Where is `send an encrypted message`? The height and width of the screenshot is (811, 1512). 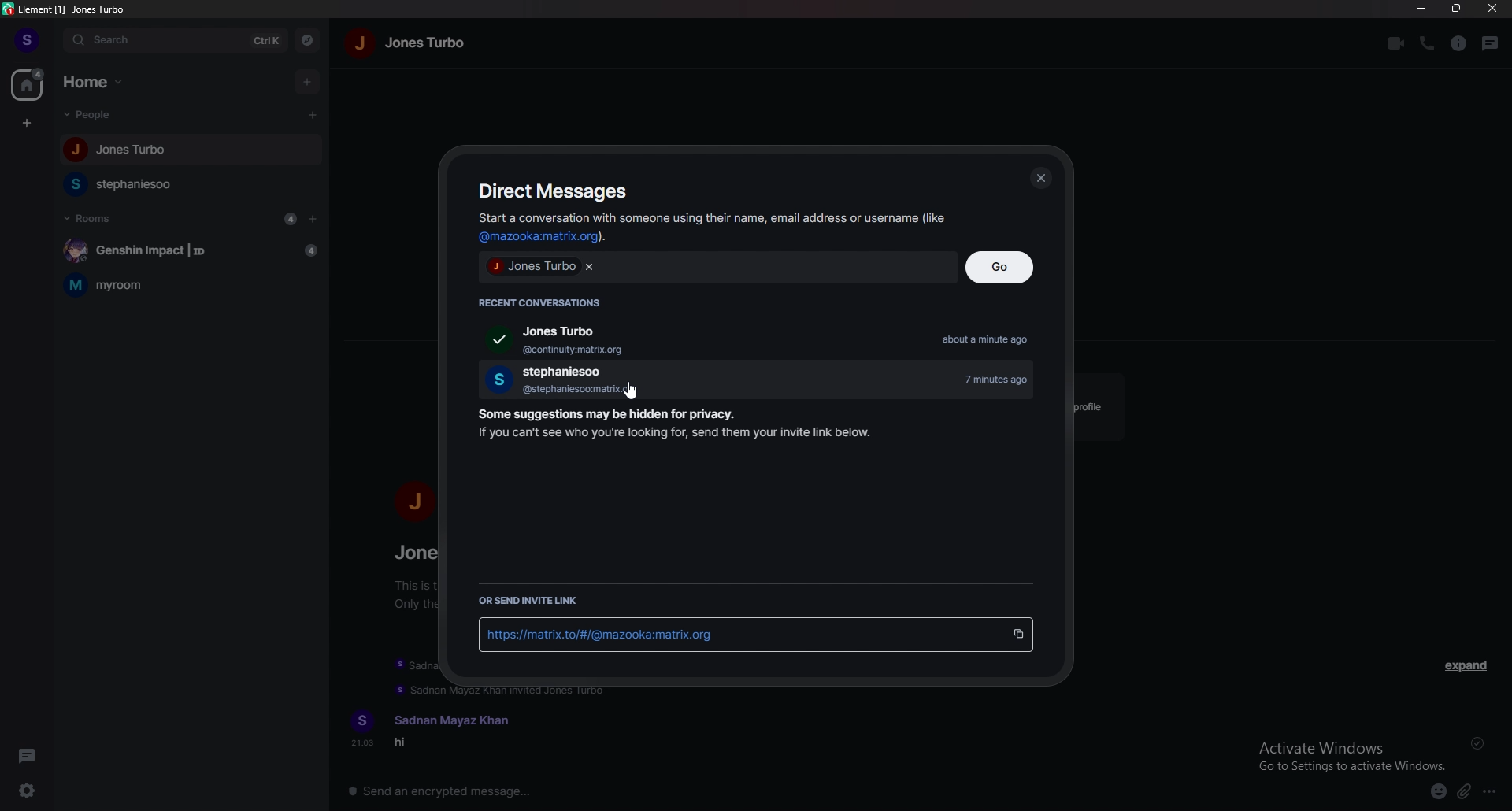 send an encrypted message is located at coordinates (451, 791).